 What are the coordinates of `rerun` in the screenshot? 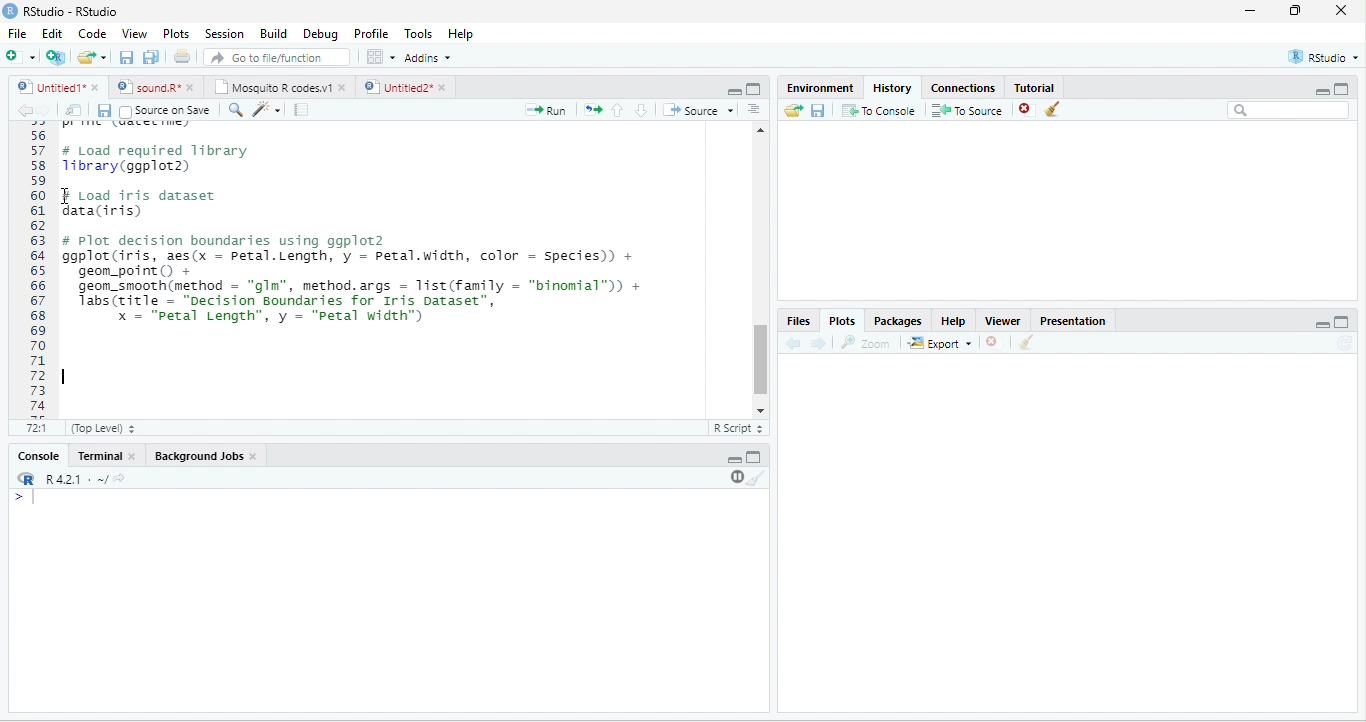 It's located at (592, 110).